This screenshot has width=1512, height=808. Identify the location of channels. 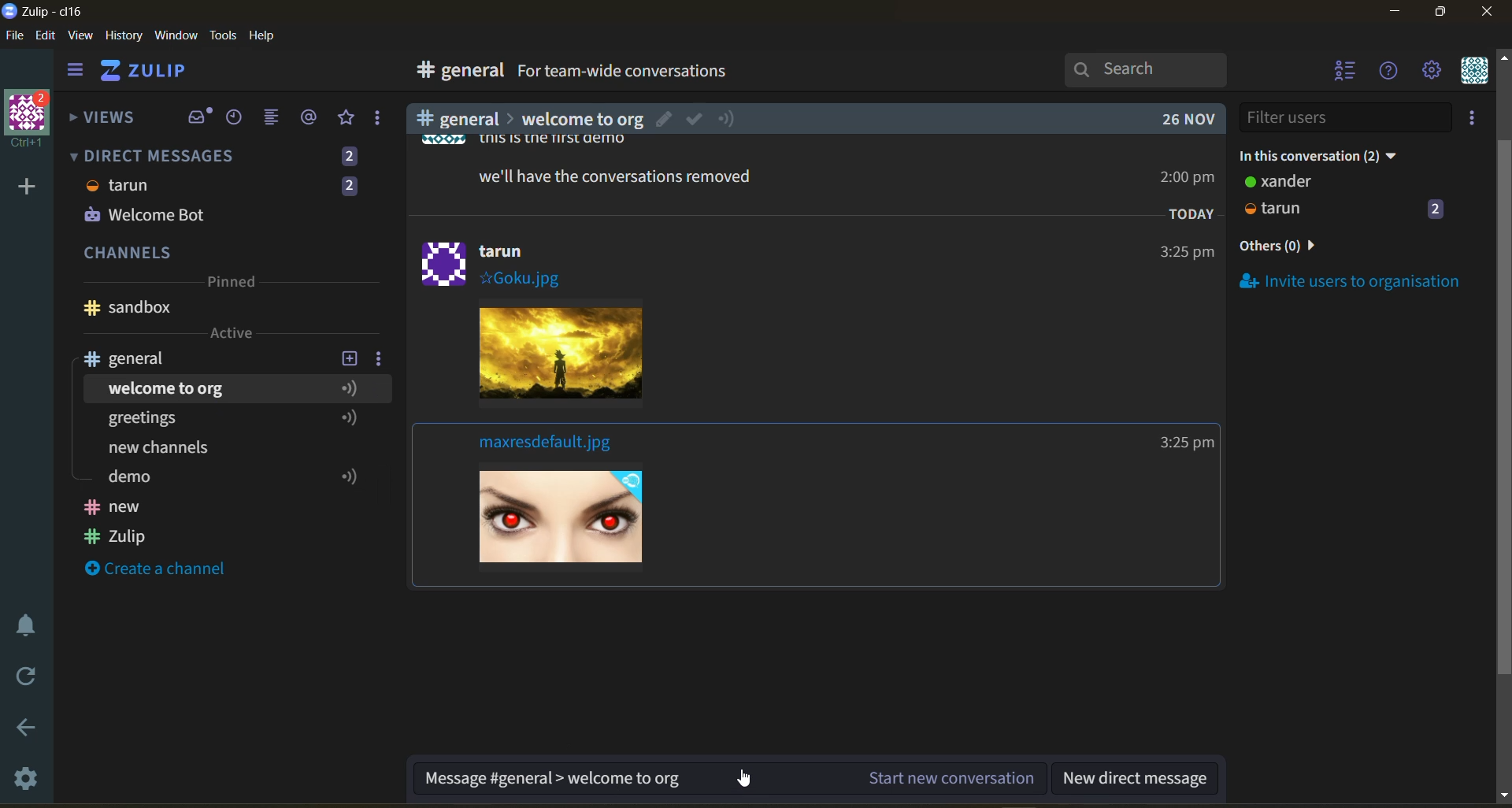
(228, 254).